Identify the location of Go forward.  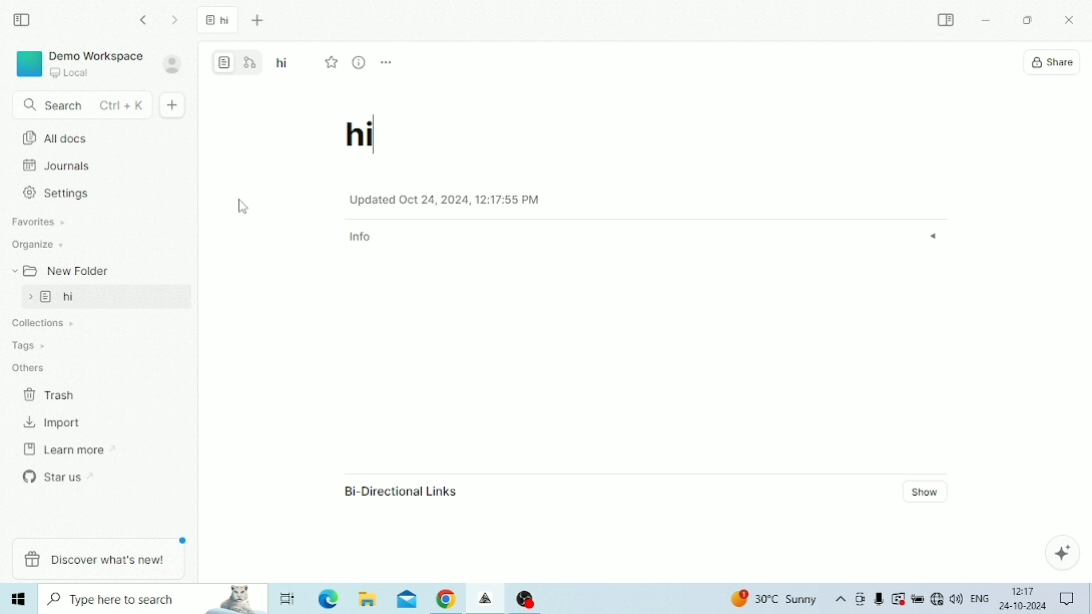
(176, 20).